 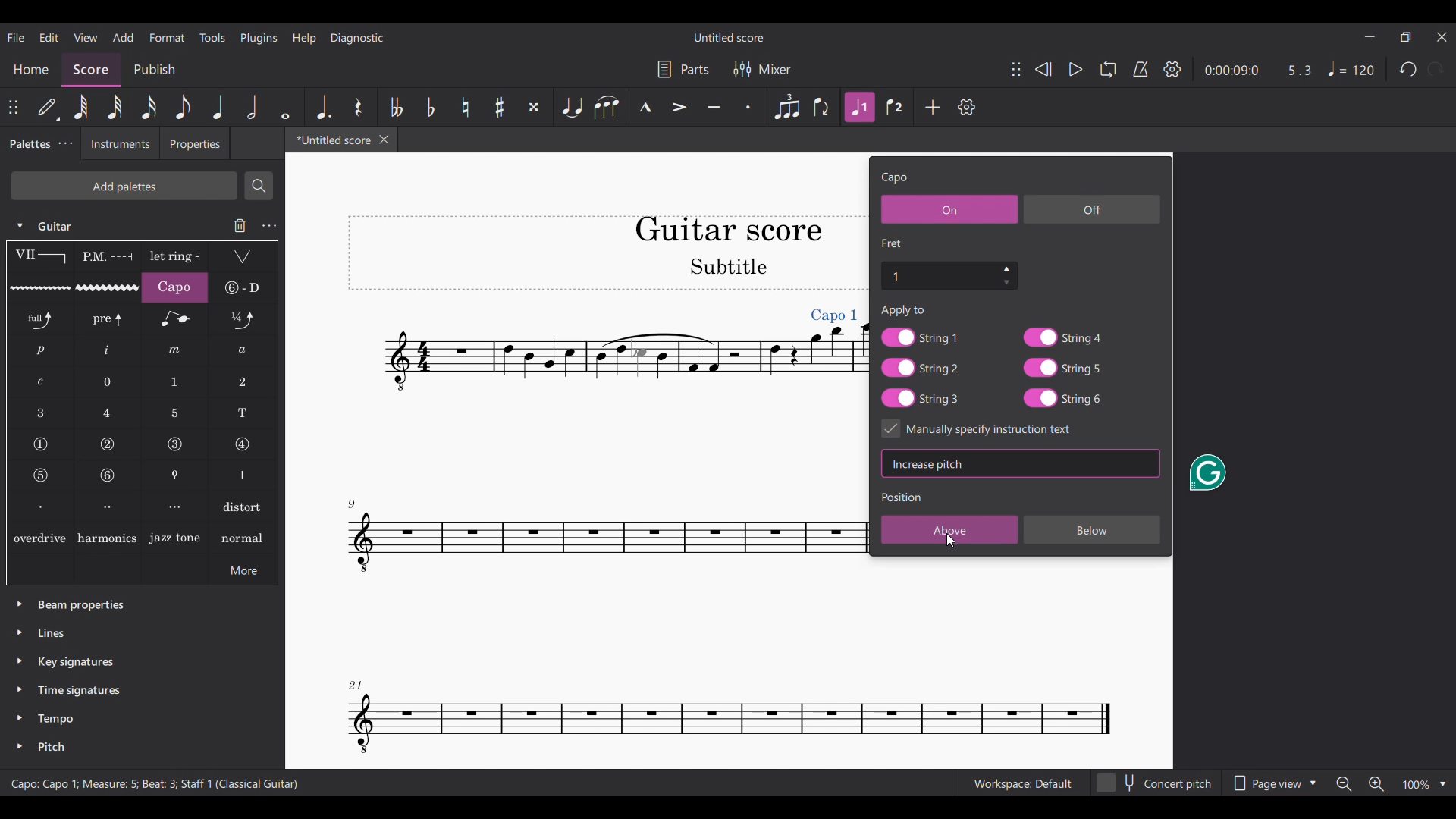 What do you see at coordinates (1406, 37) in the screenshot?
I see `Show in smaller tab` at bounding box center [1406, 37].